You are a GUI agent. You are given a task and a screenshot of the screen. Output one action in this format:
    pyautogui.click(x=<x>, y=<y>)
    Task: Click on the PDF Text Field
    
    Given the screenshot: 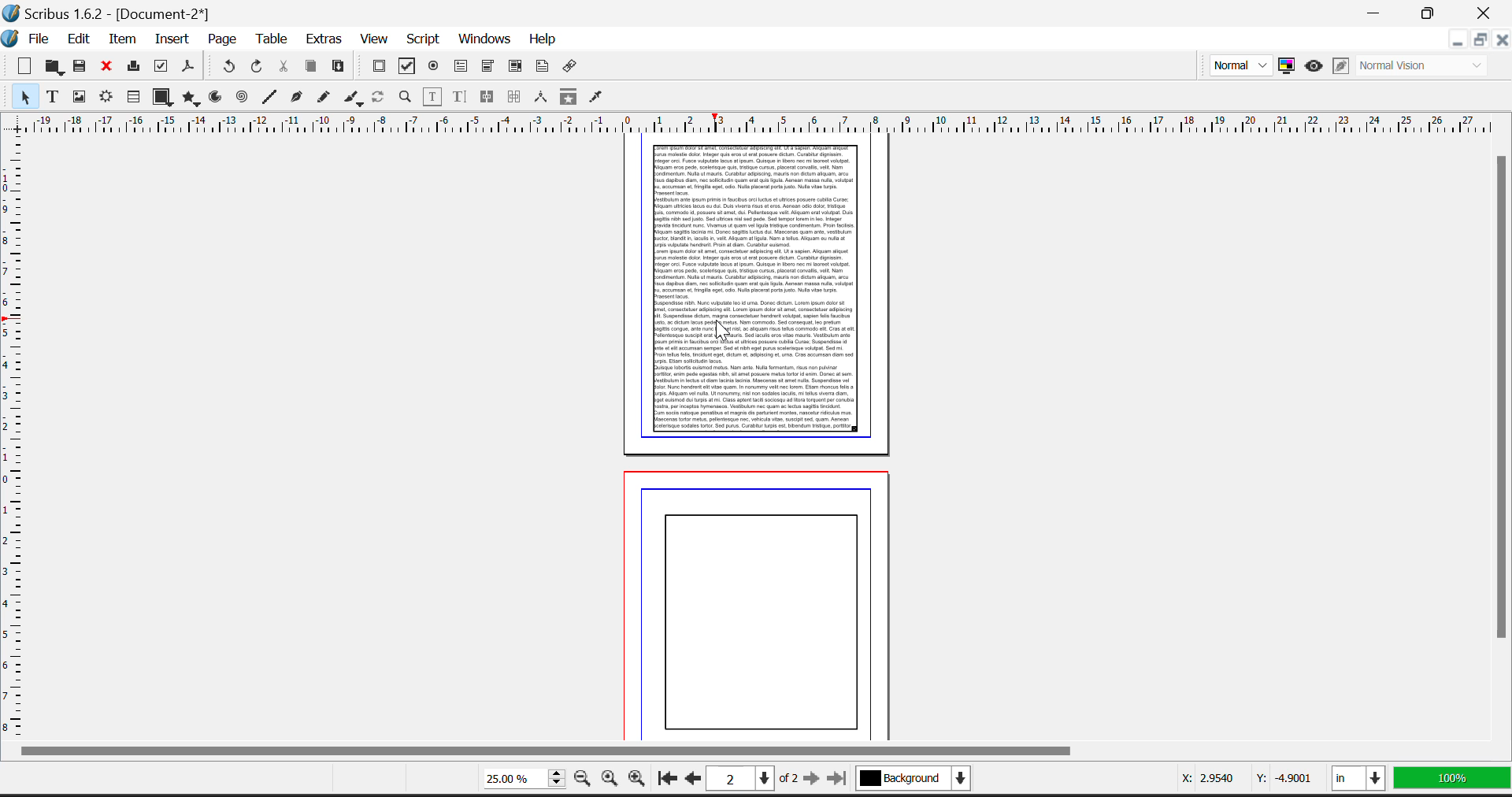 What is the action you would take?
    pyautogui.click(x=462, y=67)
    